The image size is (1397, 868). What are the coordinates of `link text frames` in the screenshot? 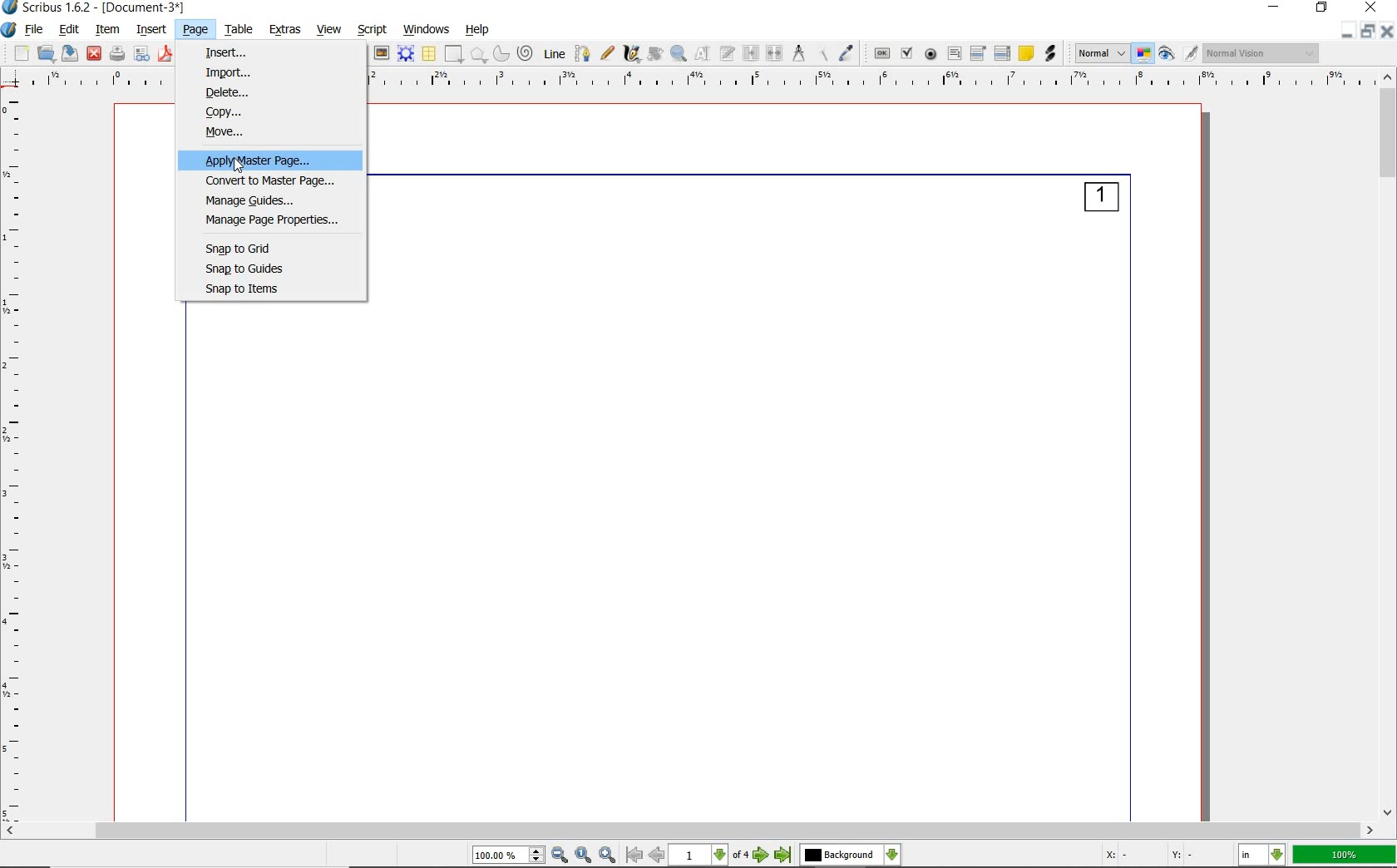 It's located at (749, 52).